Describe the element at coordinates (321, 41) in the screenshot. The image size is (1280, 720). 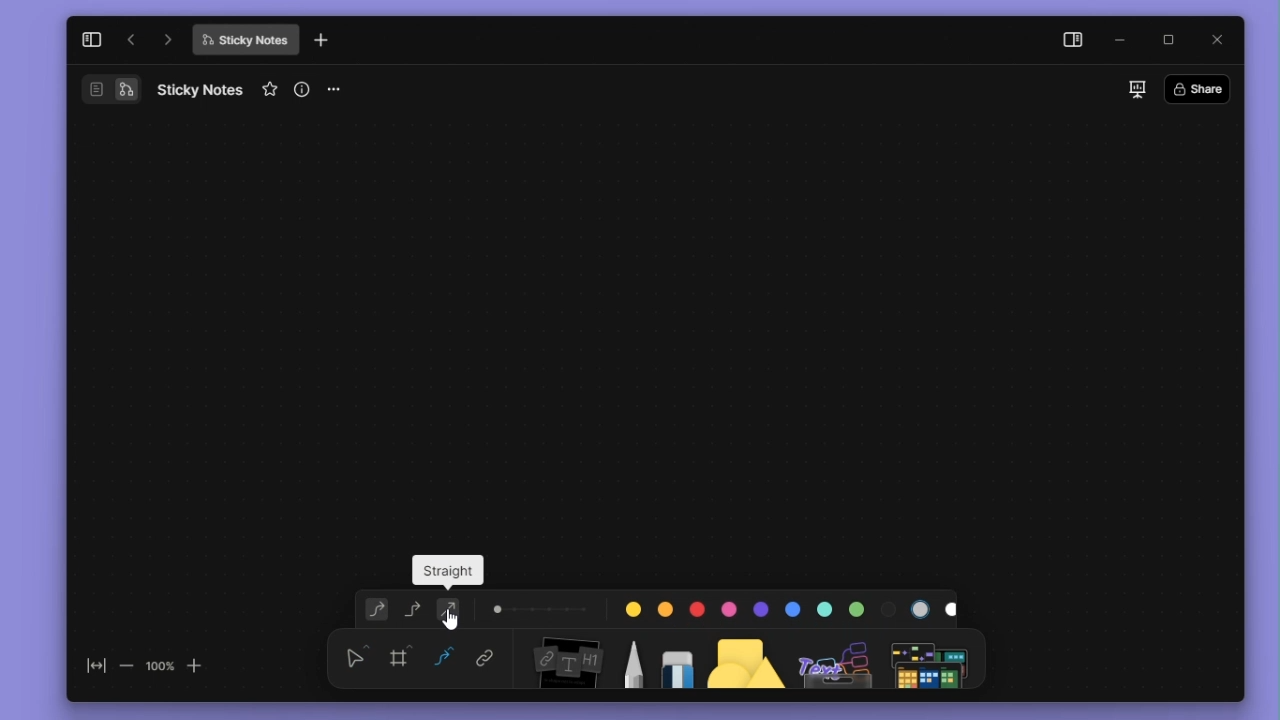
I see `new tab` at that location.